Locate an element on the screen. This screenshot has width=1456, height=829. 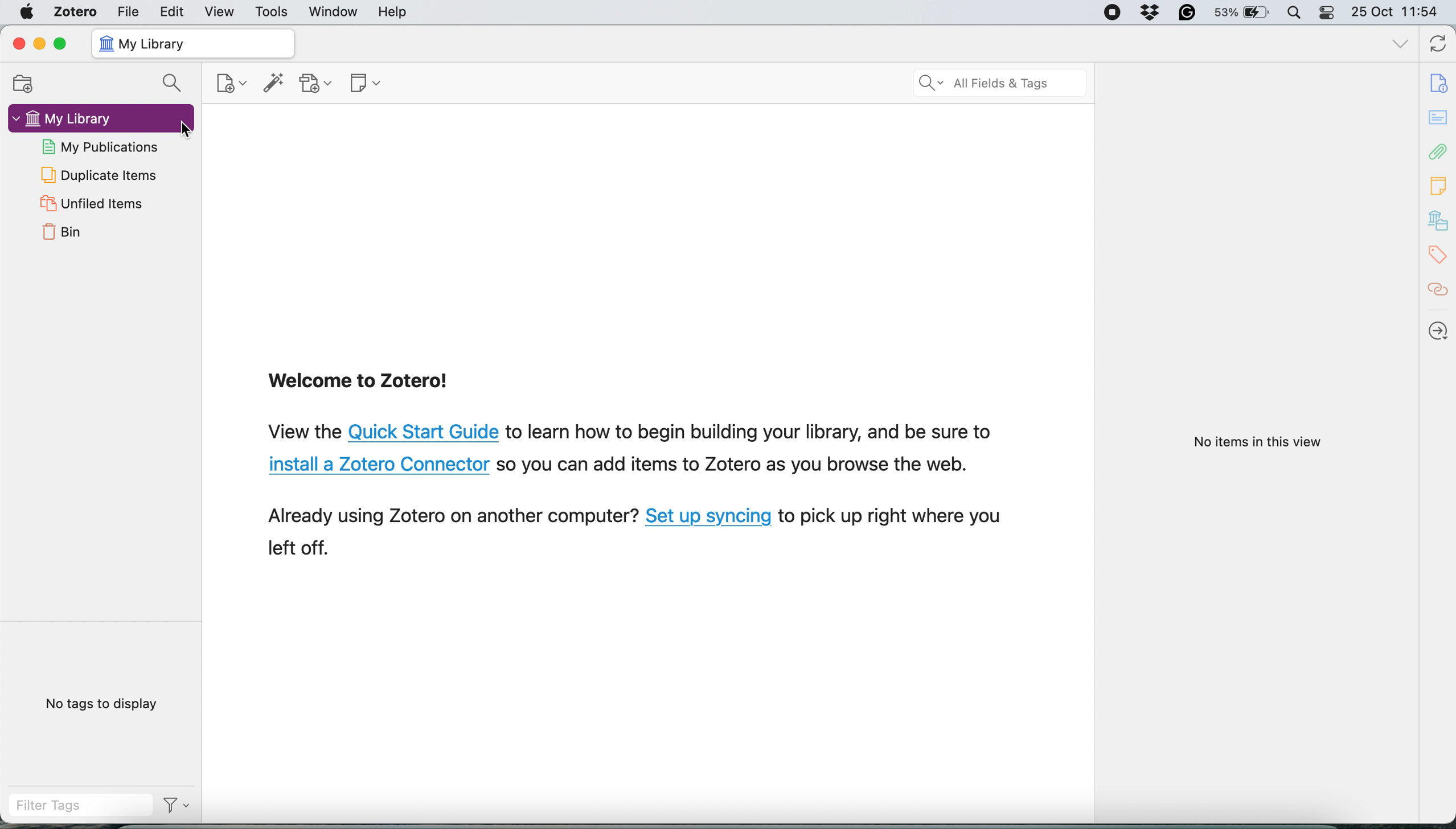
filter tags is located at coordinates (77, 809).